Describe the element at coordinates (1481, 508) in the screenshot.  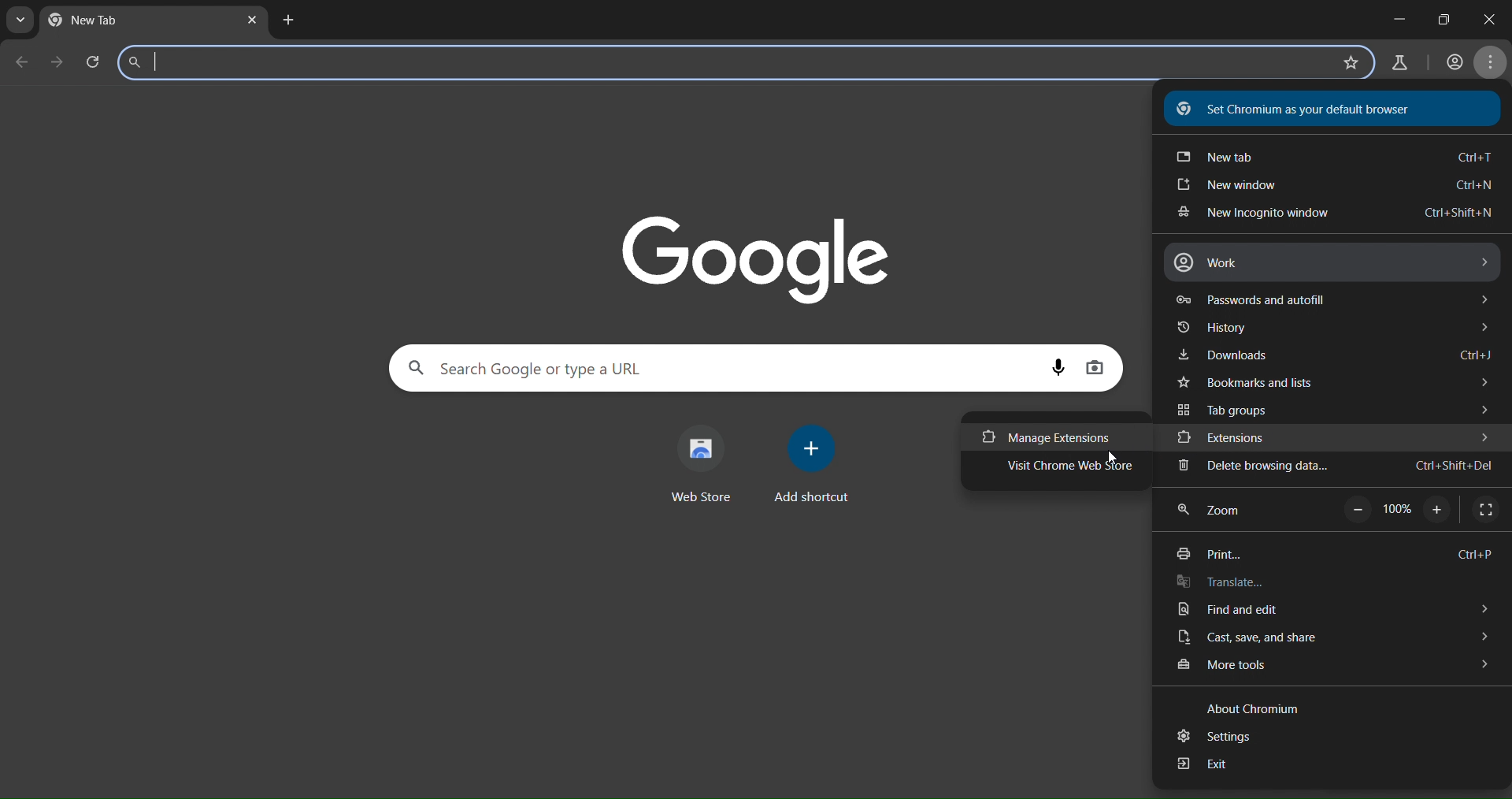
I see `full screen` at that location.